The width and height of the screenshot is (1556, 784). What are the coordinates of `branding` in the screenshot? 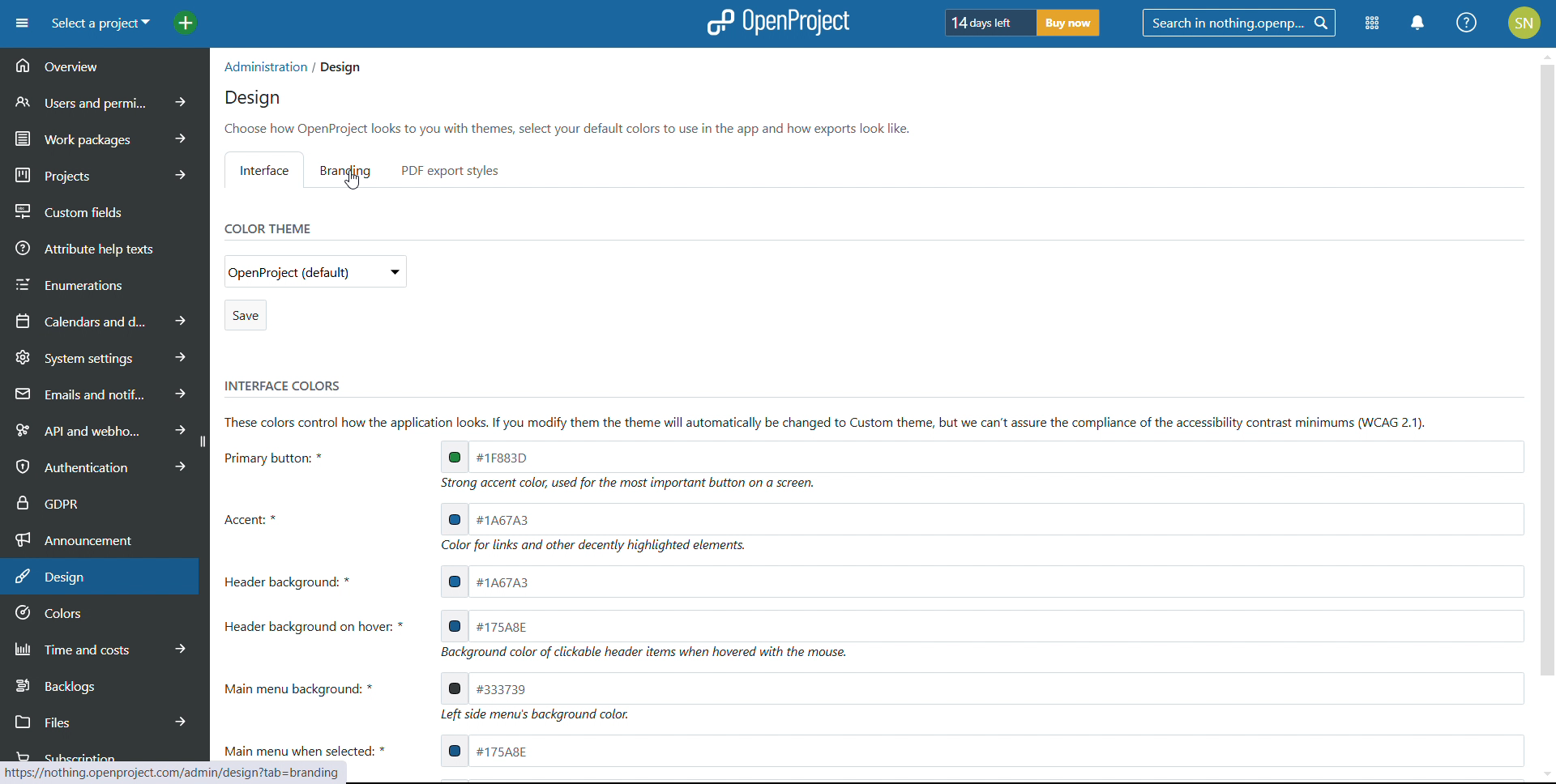 It's located at (349, 170).